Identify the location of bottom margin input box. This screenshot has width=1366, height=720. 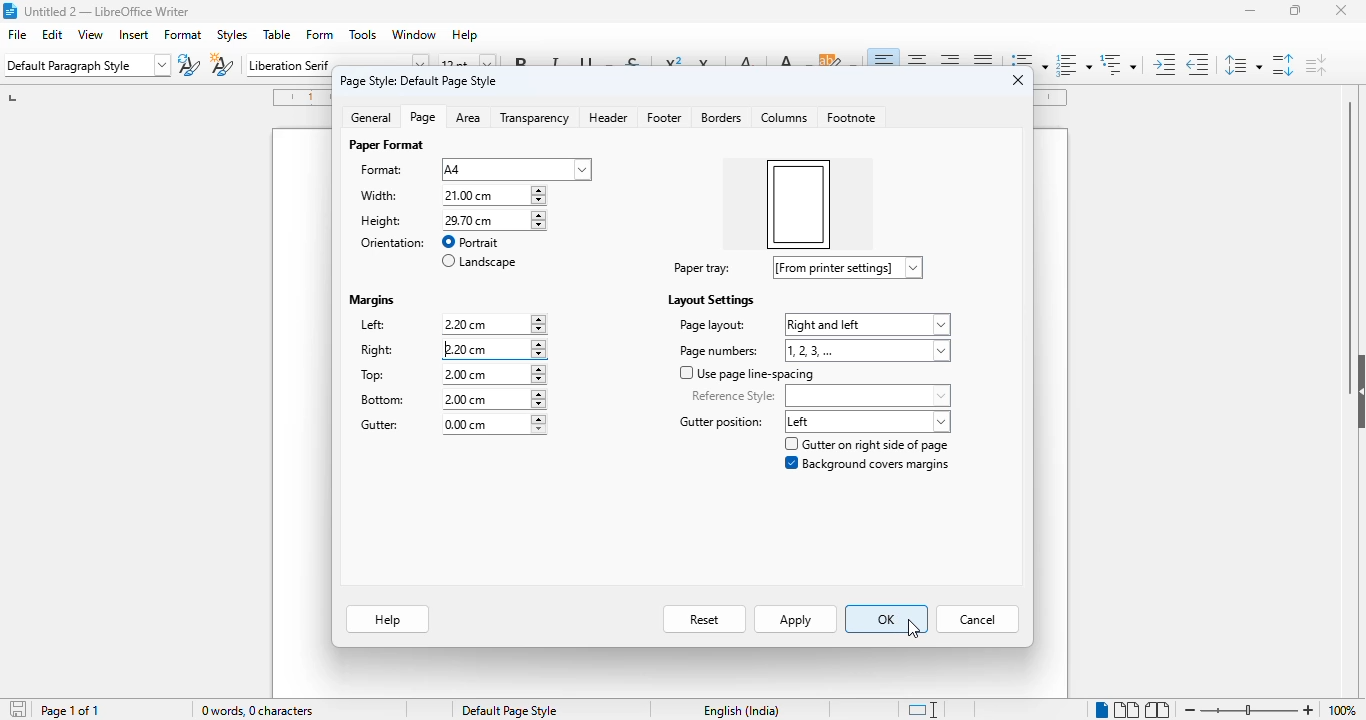
(482, 400).